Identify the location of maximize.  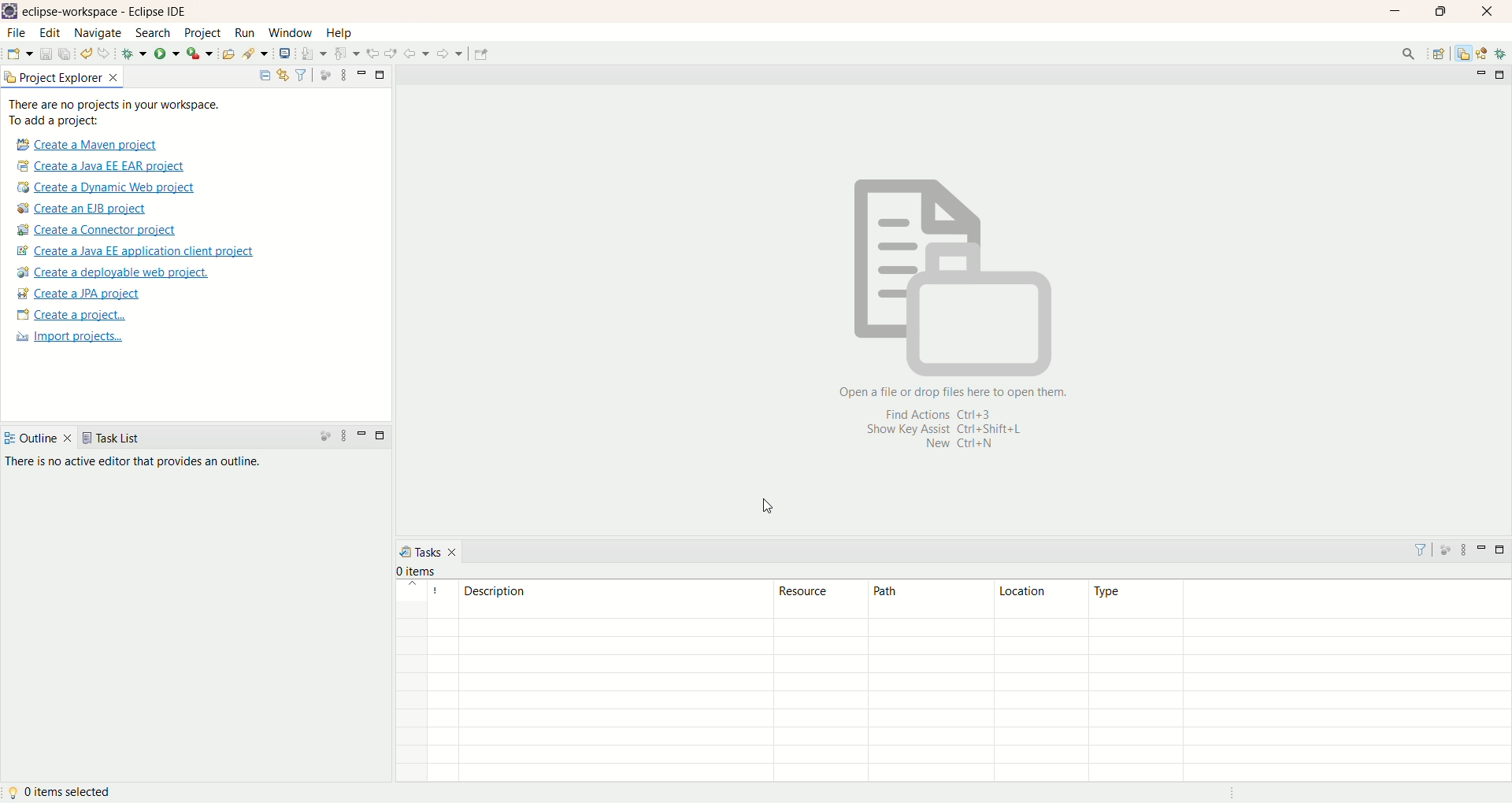
(1442, 13).